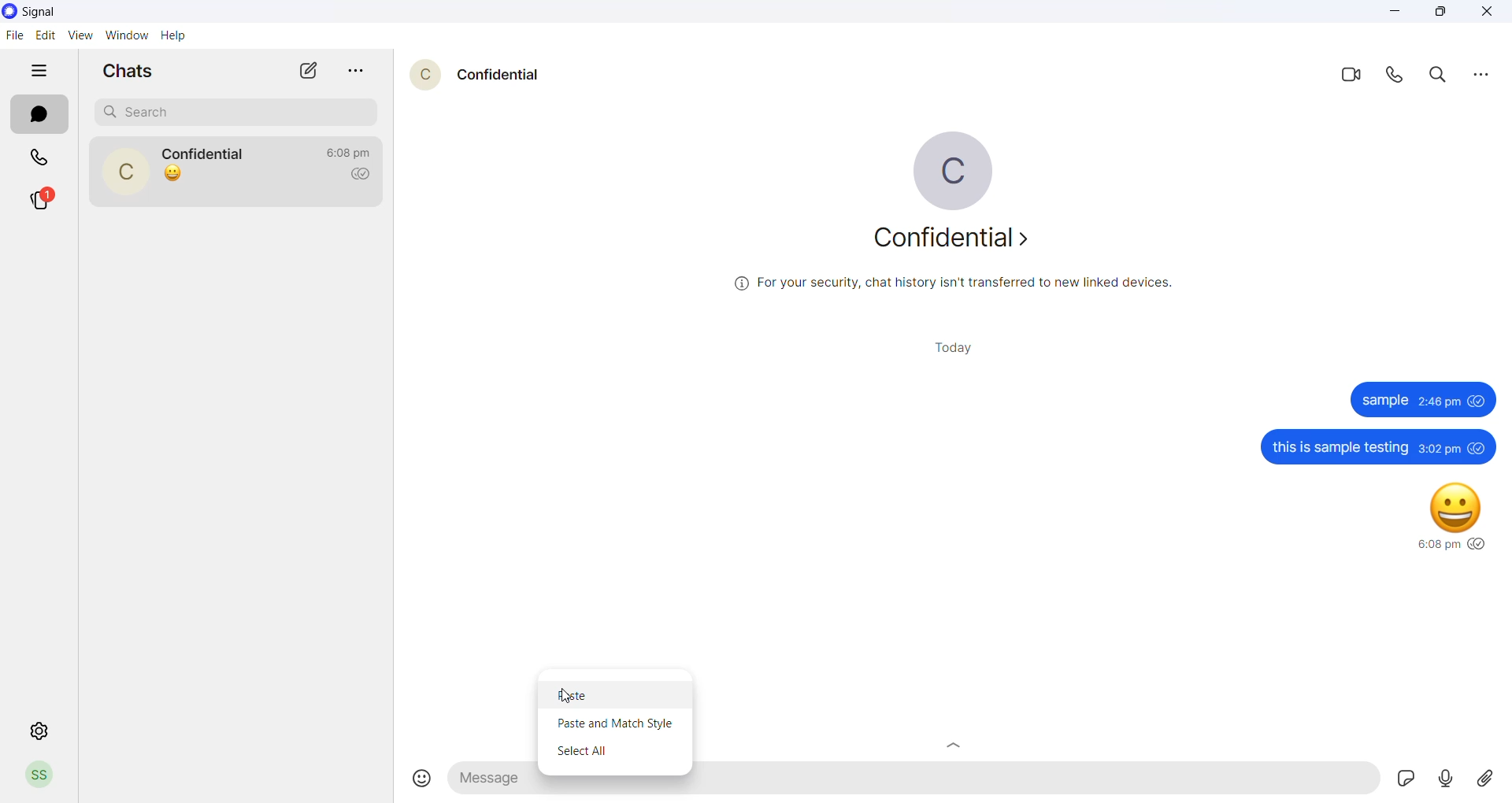  I want to click on contact profile picture, so click(428, 79).